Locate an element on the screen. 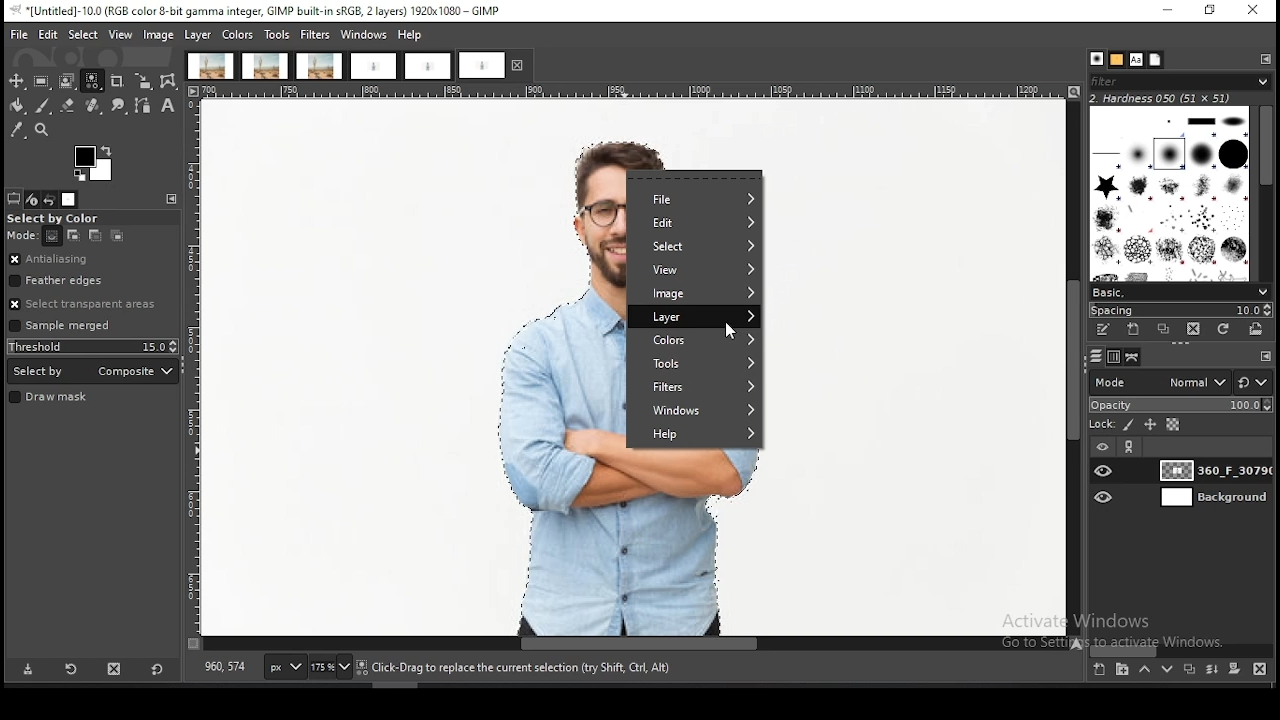 The image size is (1280, 720). project tab is located at coordinates (495, 65).